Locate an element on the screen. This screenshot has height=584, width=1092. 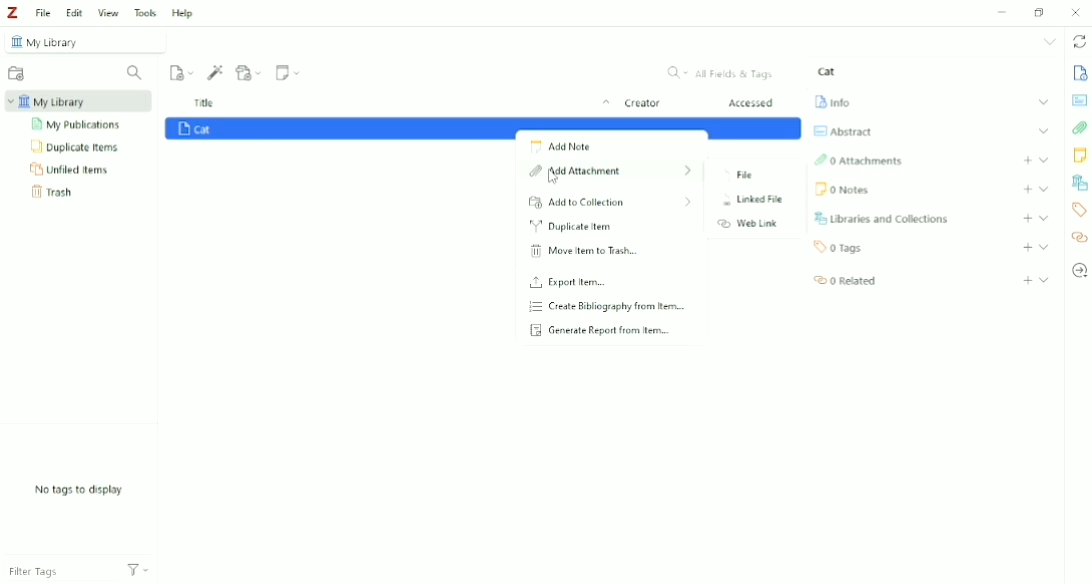
Notes is located at coordinates (841, 189).